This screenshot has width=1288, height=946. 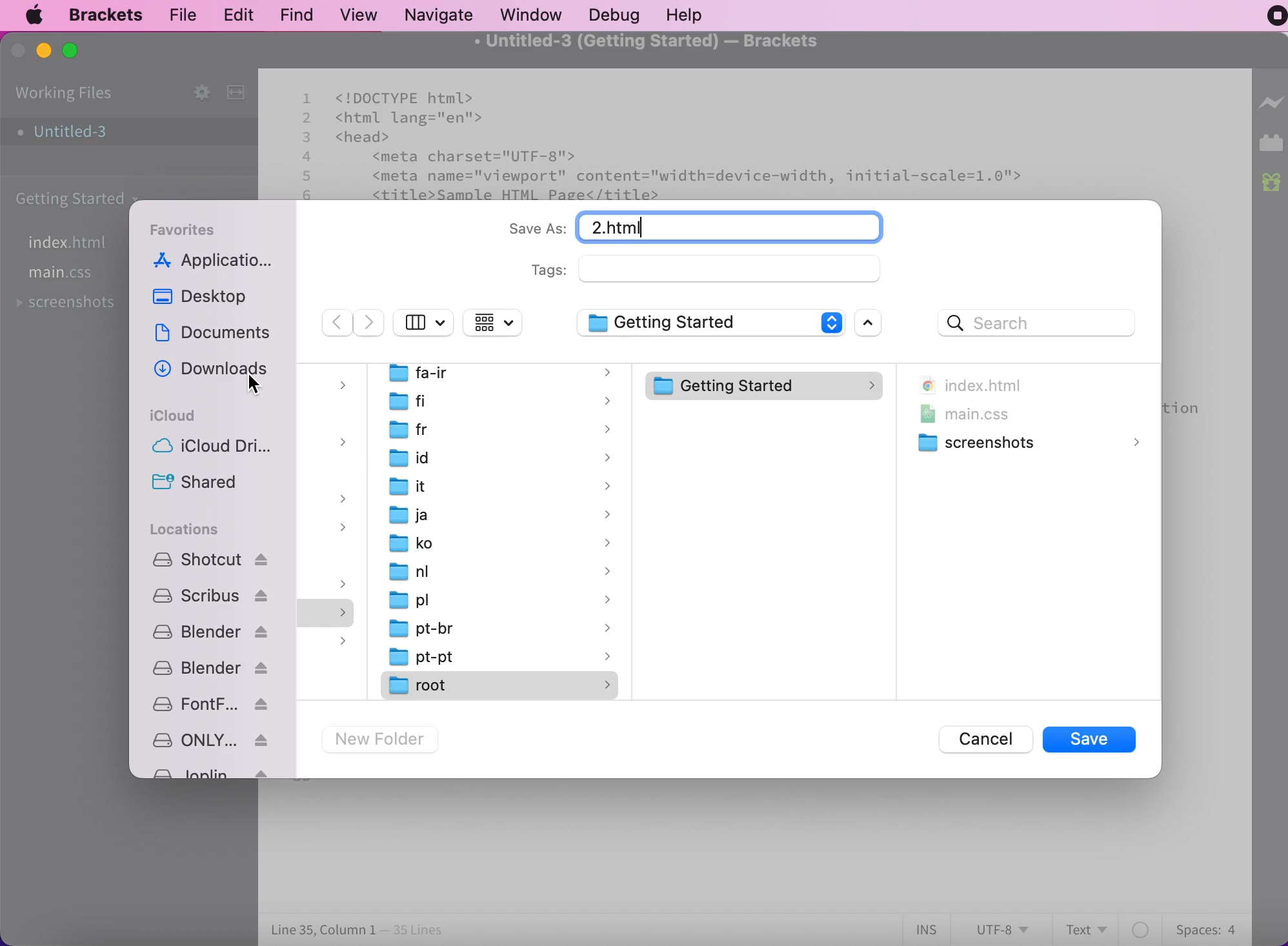 What do you see at coordinates (336, 321) in the screenshot?
I see `previous` at bounding box center [336, 321].